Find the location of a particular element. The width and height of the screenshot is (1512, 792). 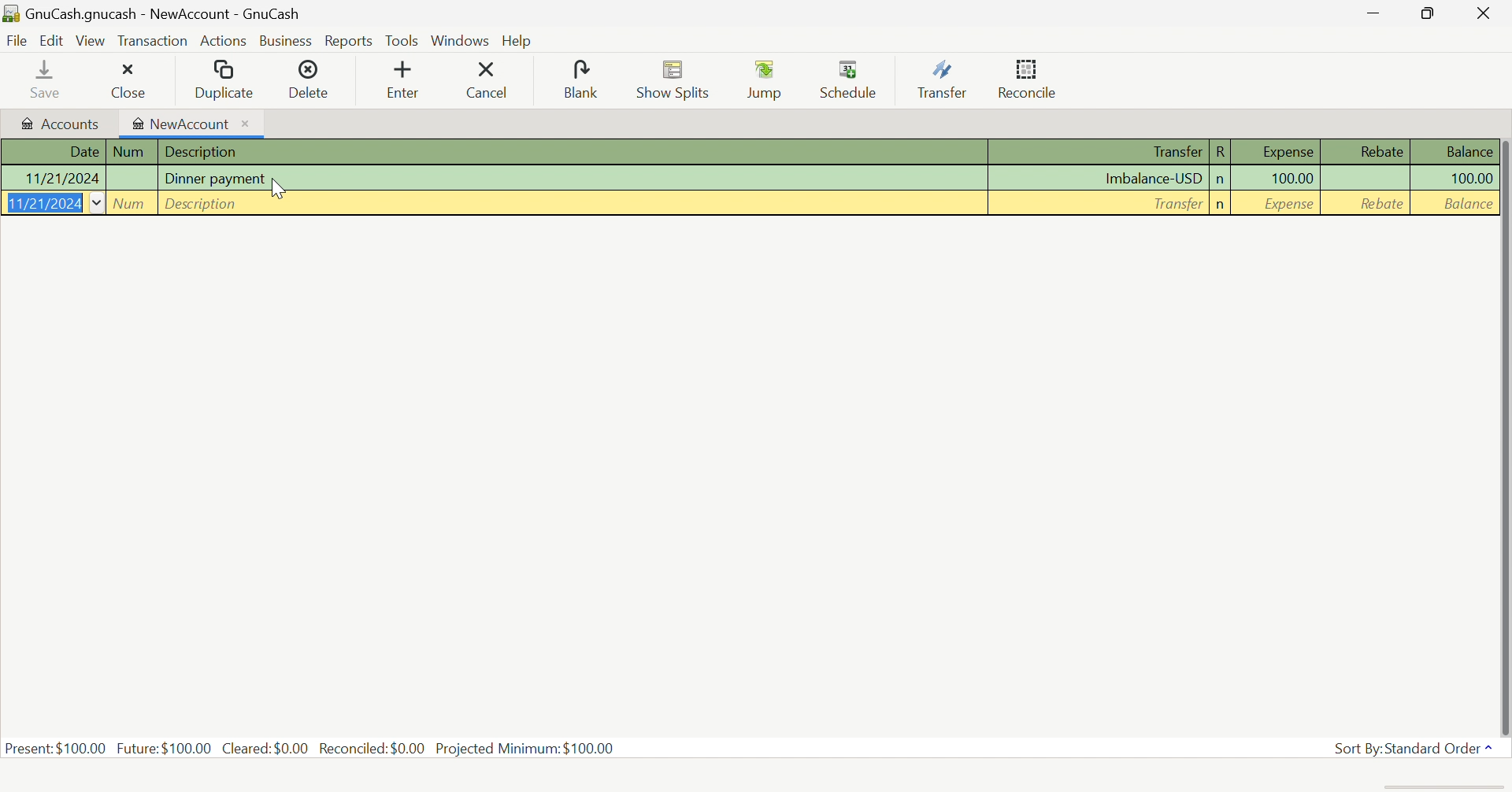

GnuCash.gnucash - NewAccount - GnuCash is located at coordinates (154, 14).